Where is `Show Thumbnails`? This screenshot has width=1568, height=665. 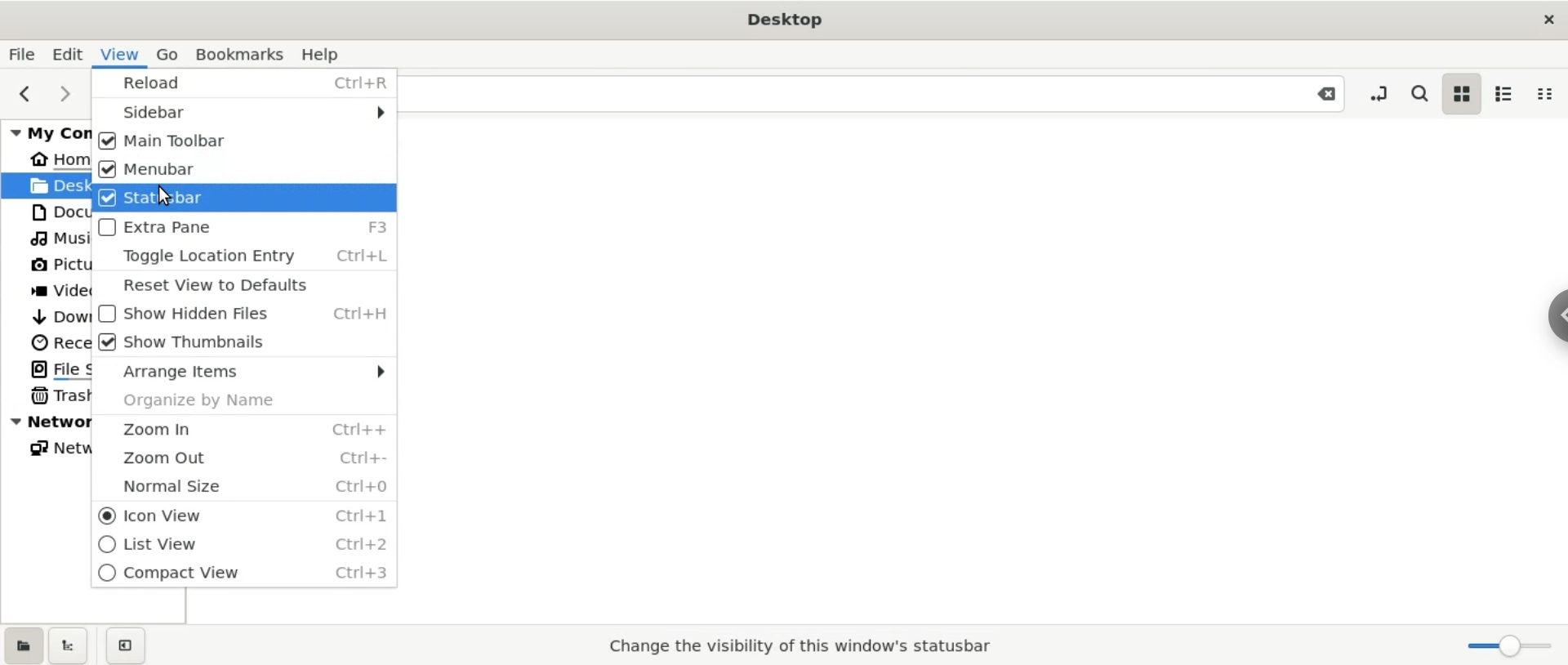
Show Thumbnails is located at coordinates (243, 346).